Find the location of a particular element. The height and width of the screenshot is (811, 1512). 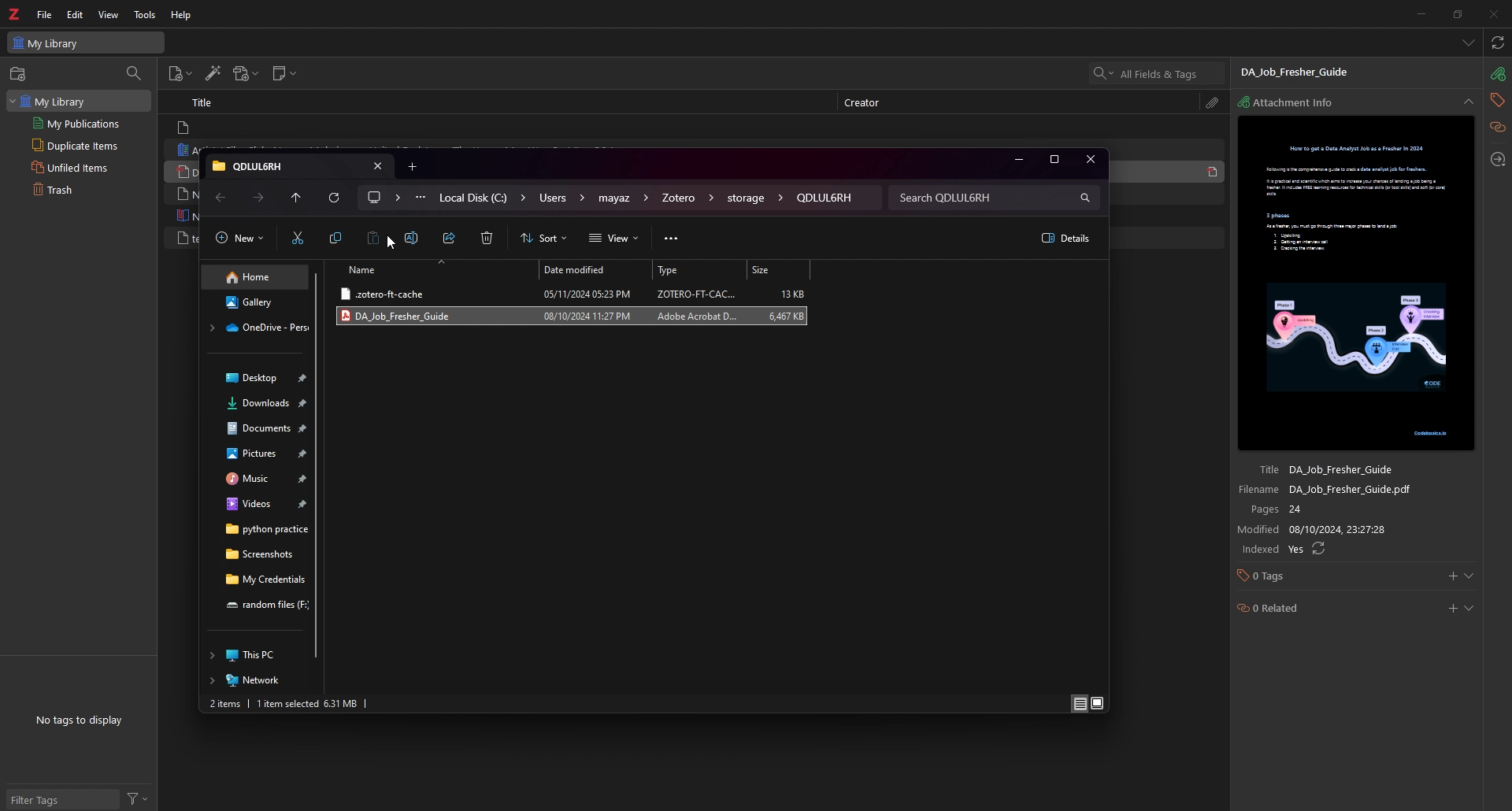

filter collections is located at coordinates (133, 72).